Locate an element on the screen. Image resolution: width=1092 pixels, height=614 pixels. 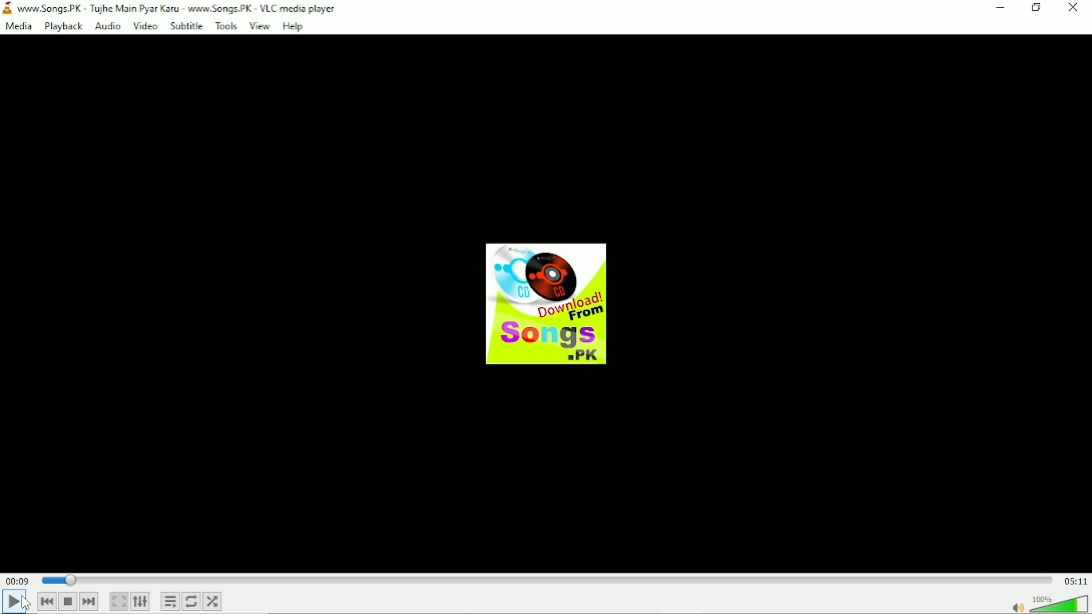
Audio track is located at coordinates (548, 302).